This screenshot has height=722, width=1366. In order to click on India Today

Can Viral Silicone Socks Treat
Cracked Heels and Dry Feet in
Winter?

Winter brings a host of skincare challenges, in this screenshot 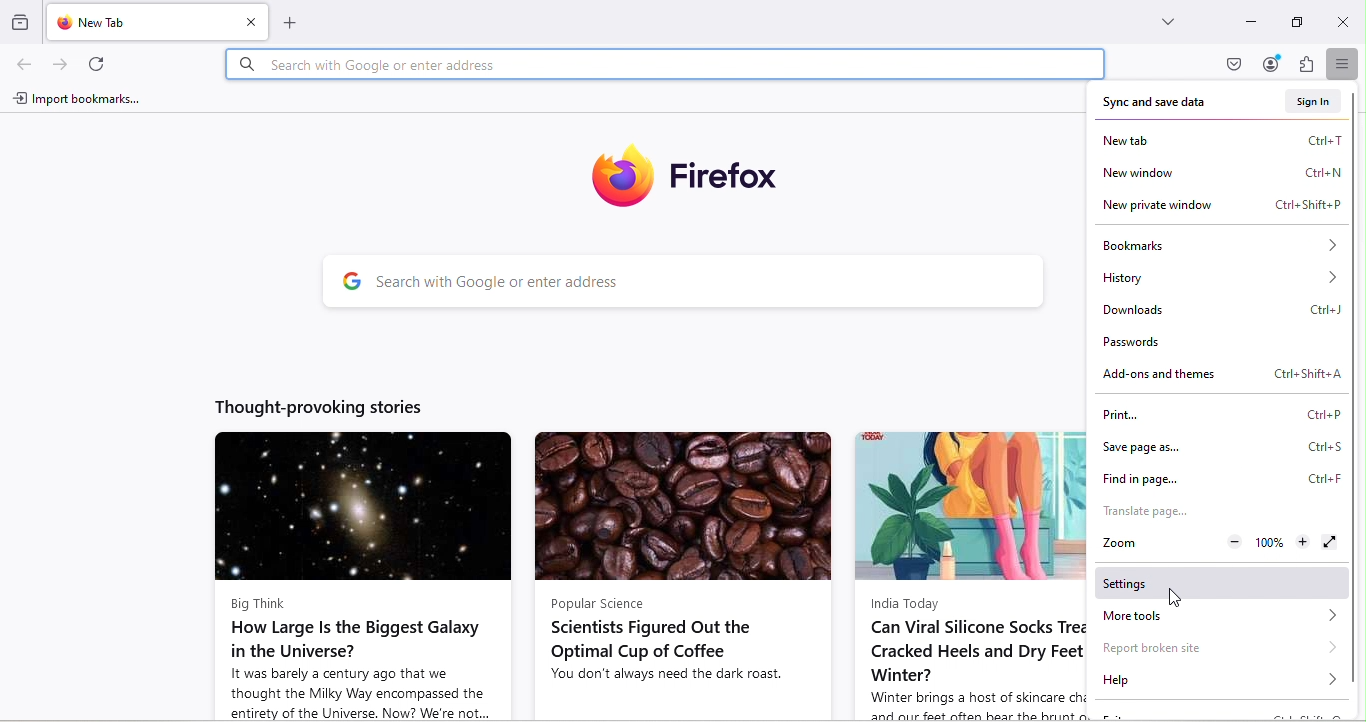, I will do `click(966, 654)`.